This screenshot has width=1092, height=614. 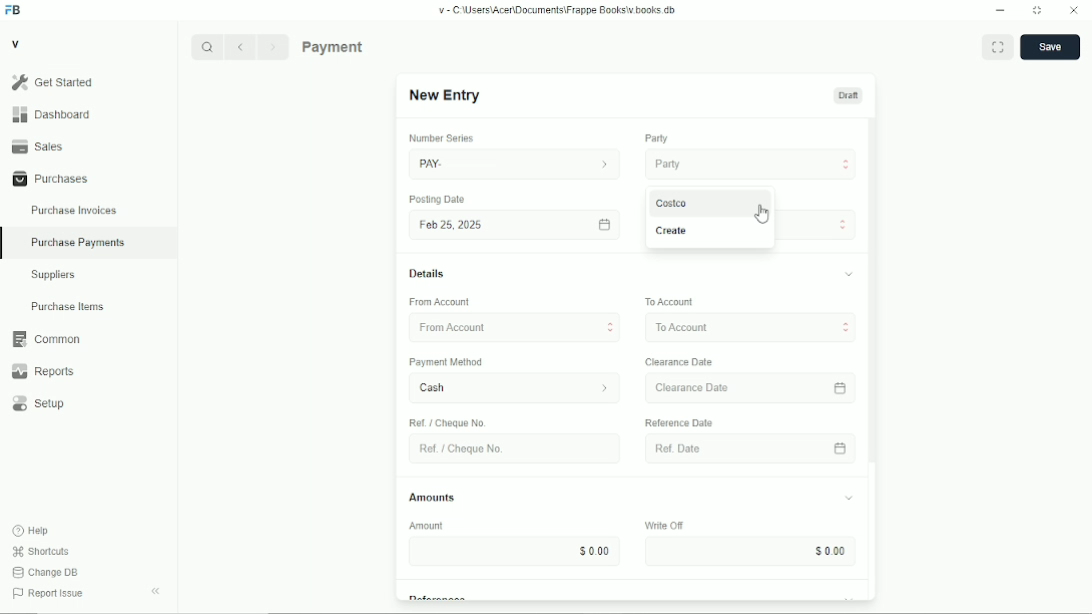 I want to click on Toggle between form and full width, so click(x=997, y=47).